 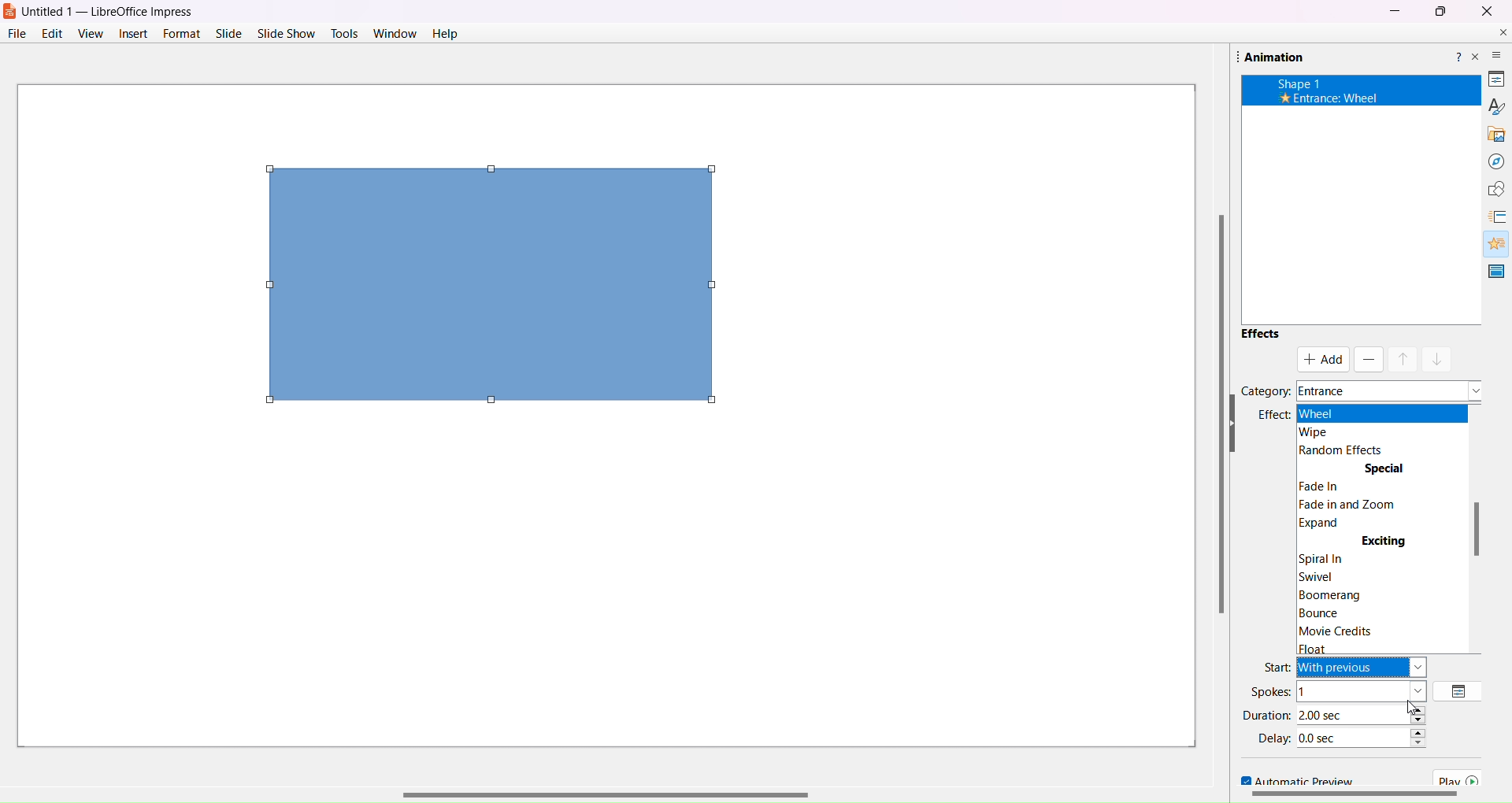 I want to click on Window, so click(x=395, y=33).